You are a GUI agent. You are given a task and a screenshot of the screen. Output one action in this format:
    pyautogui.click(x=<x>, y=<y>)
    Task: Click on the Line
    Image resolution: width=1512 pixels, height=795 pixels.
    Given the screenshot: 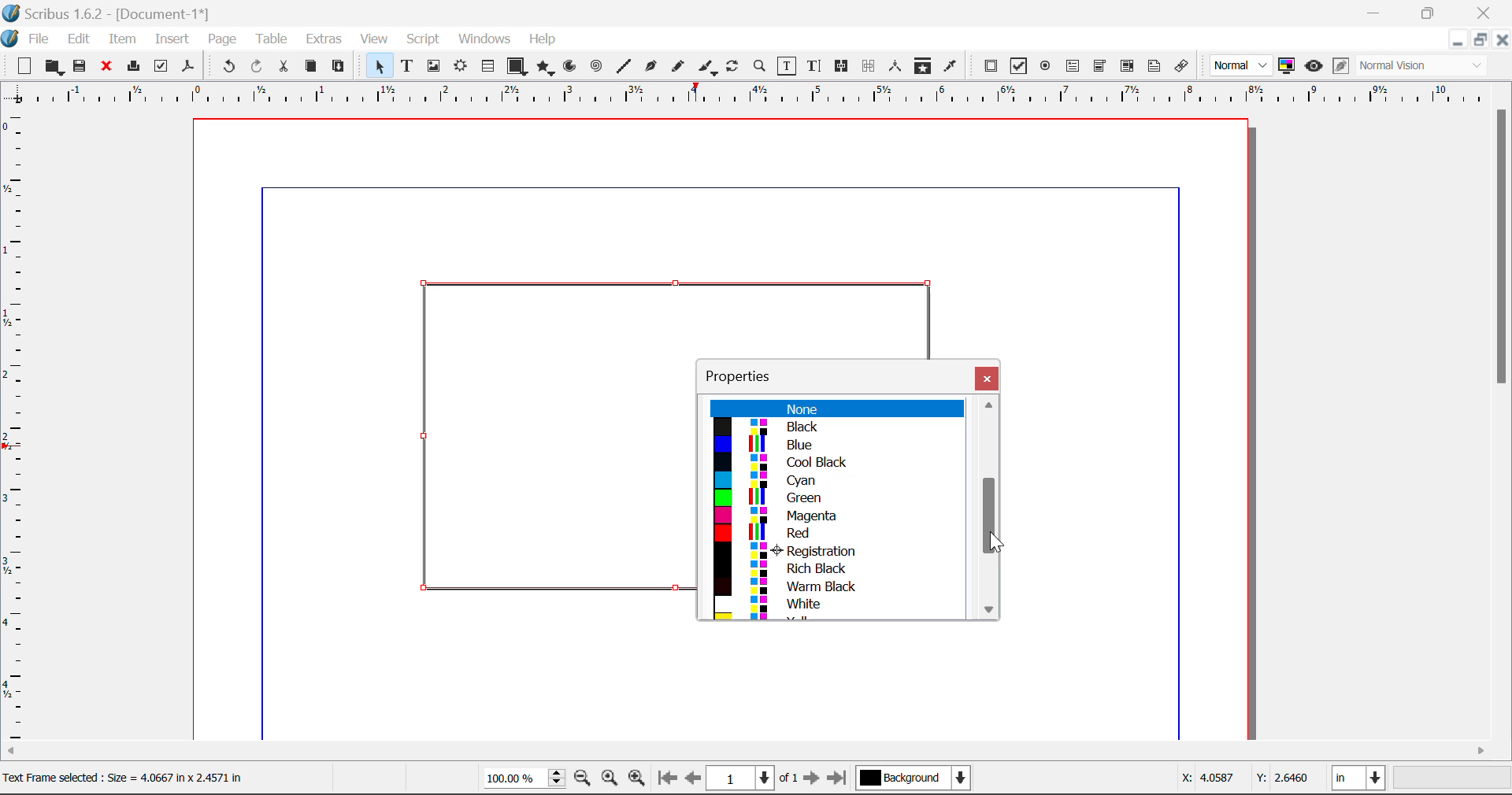 What is the action you would take?
    pyautogui.click(x=624, y=66)
    